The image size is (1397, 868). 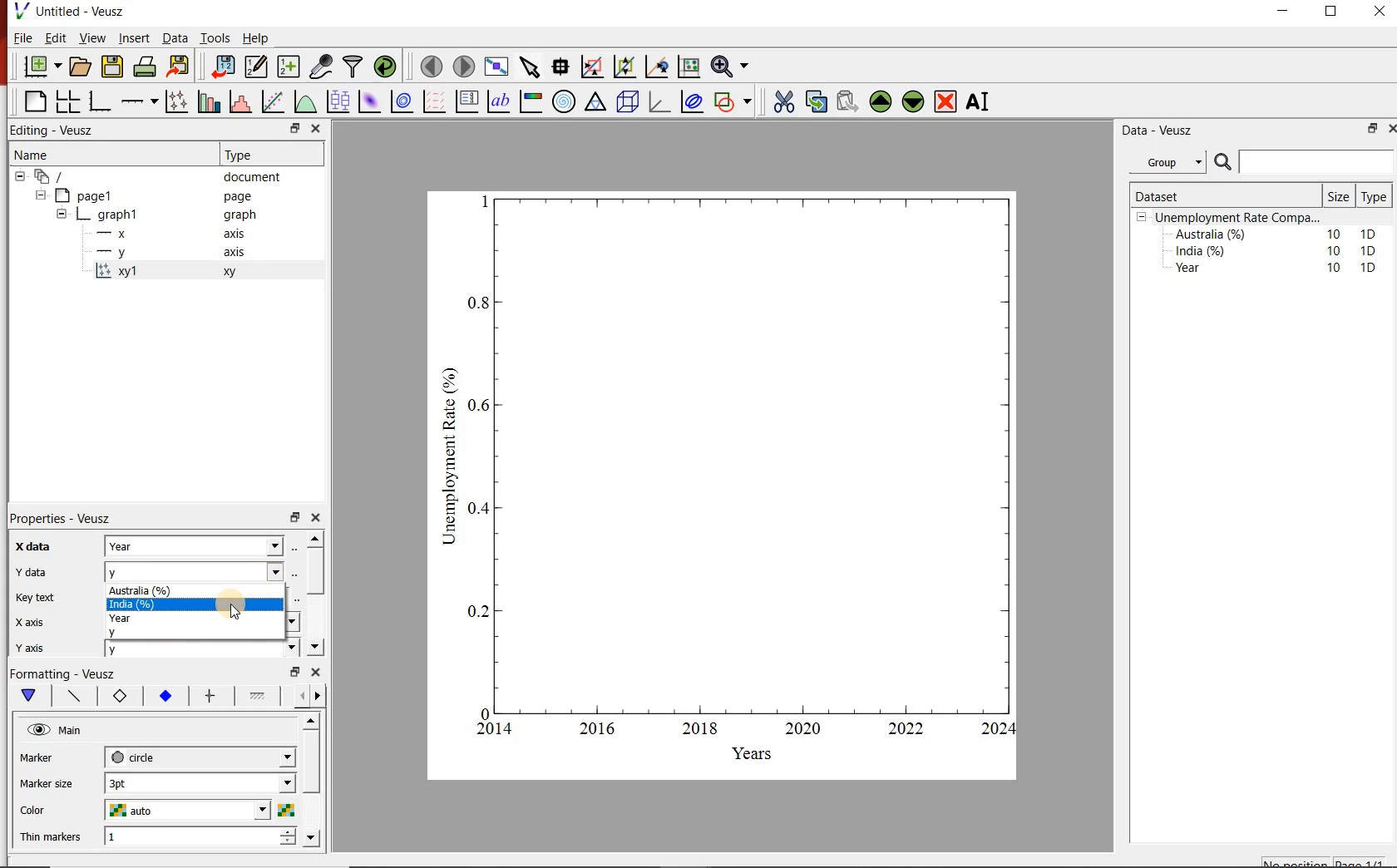 What do you see at coordinates (48, 760) in the screenshot?
I see `MArker` at bounding box center [48, 760].